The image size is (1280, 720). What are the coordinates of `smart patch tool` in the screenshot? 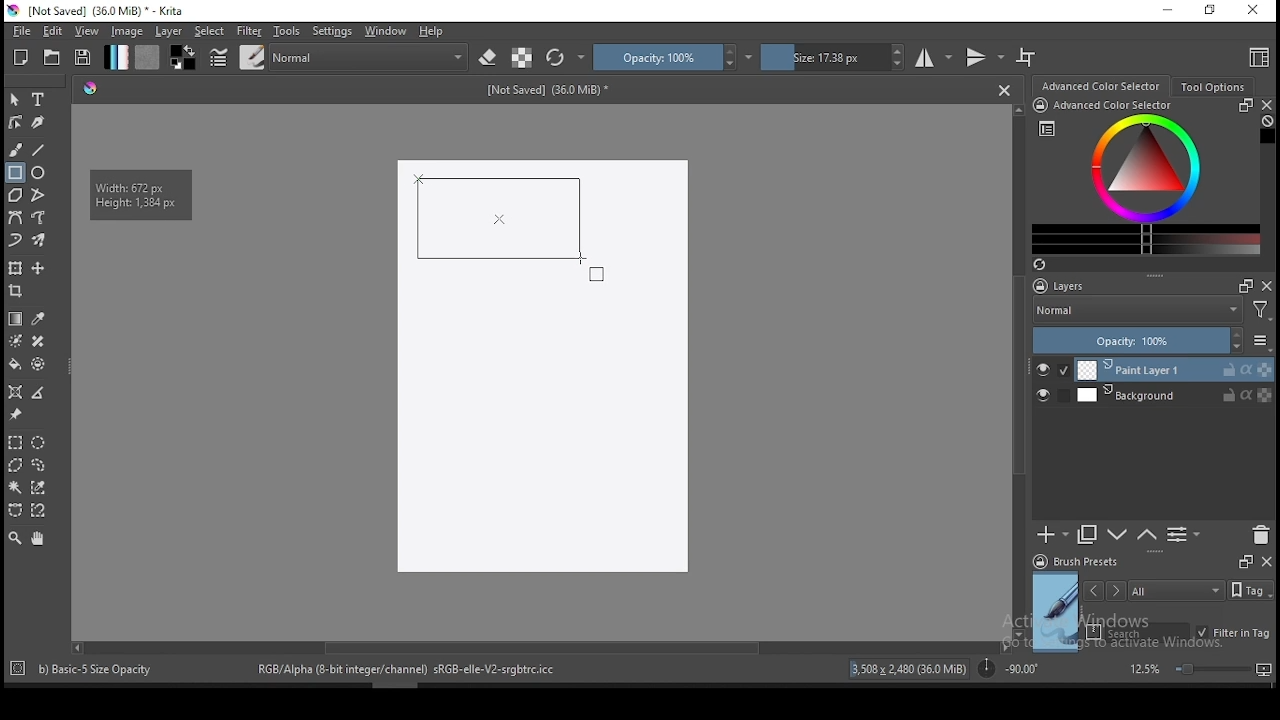 It's located at (38, 341).